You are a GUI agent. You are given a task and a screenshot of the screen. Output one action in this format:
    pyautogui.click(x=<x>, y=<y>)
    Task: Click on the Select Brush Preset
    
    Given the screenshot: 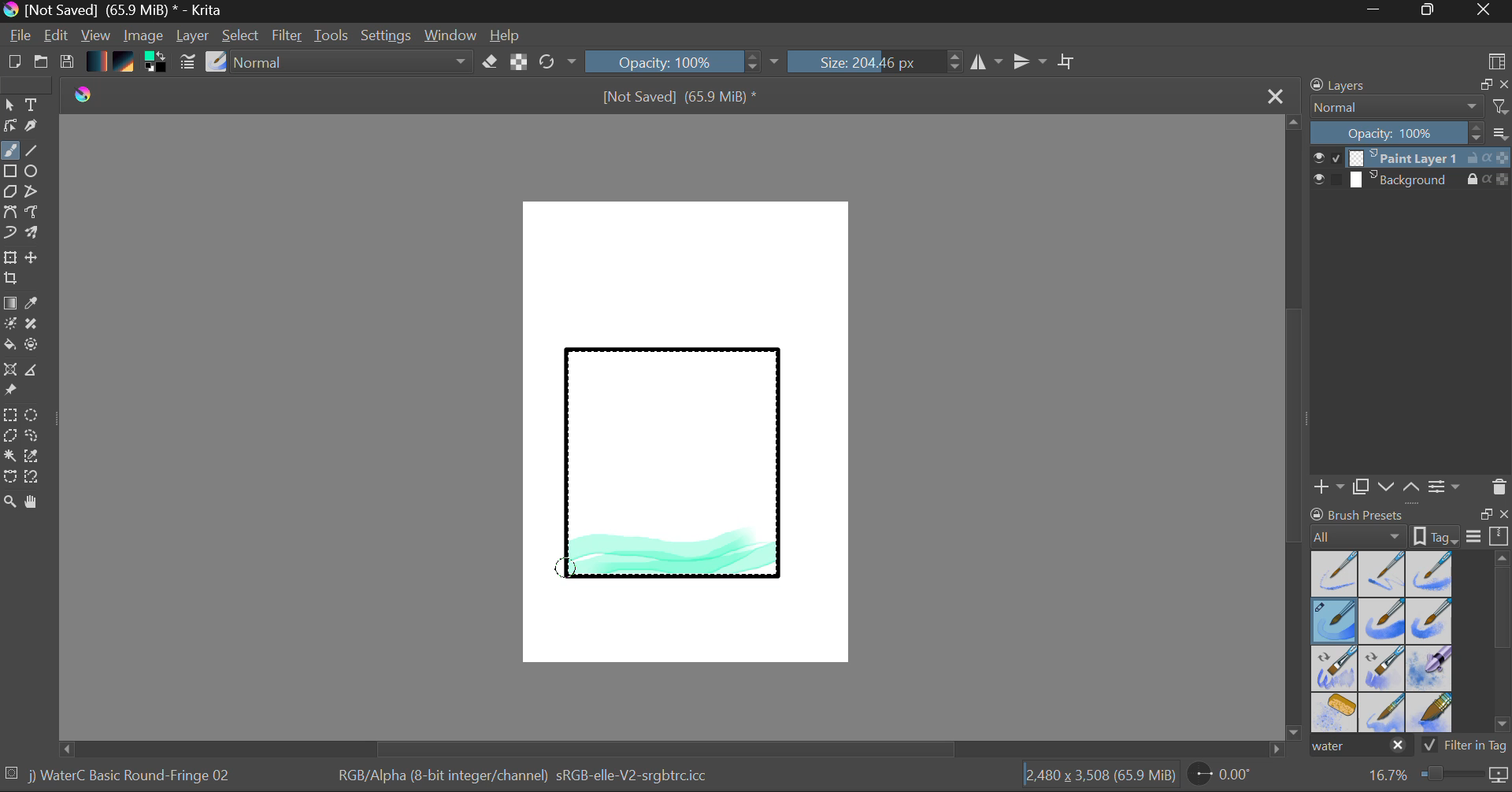 What is the action you would take?
    pyautogui.click(x=217, y=62)
    